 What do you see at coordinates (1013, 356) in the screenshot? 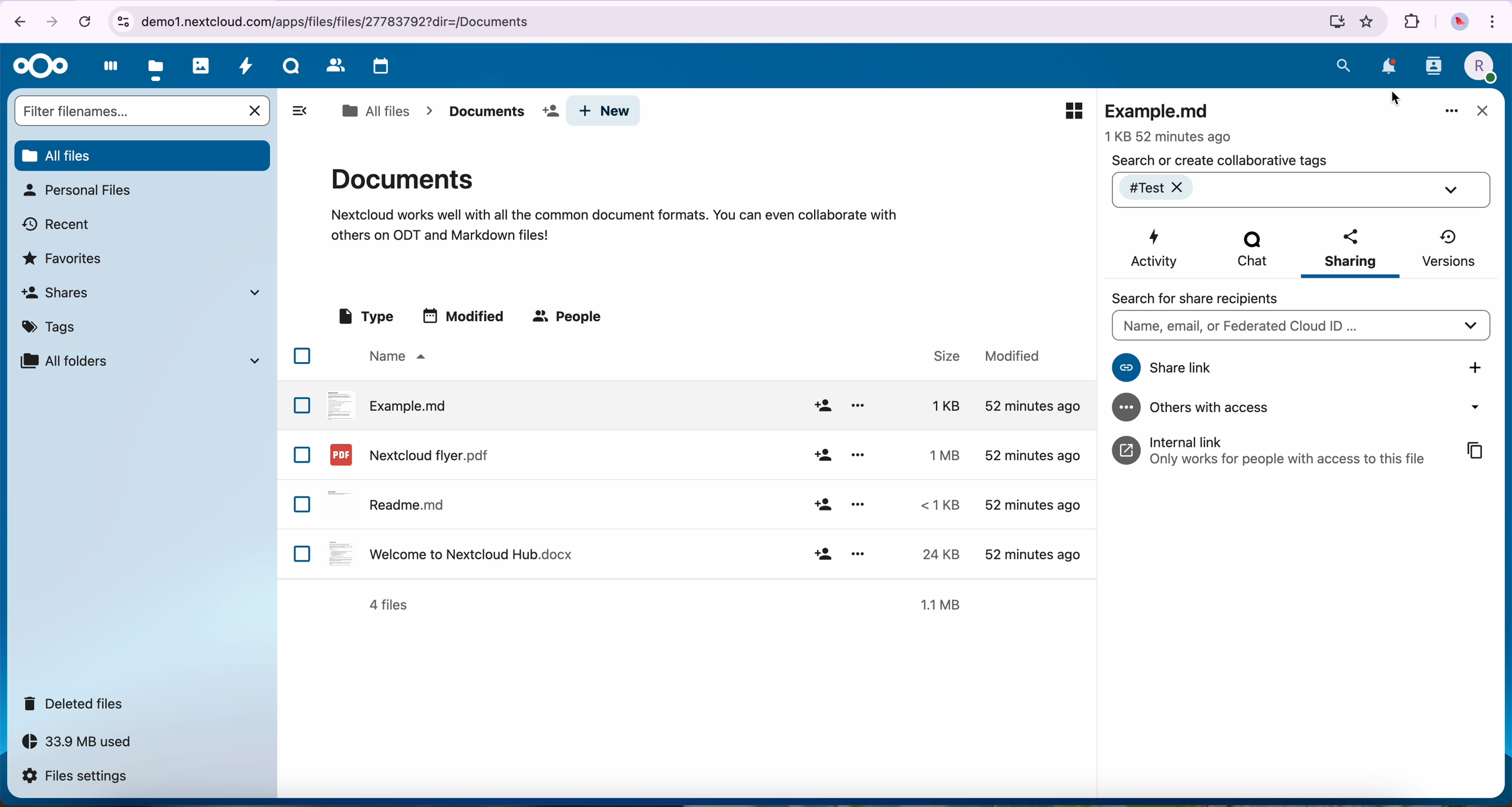
I see `modified` at bounding box center [1013, 356].